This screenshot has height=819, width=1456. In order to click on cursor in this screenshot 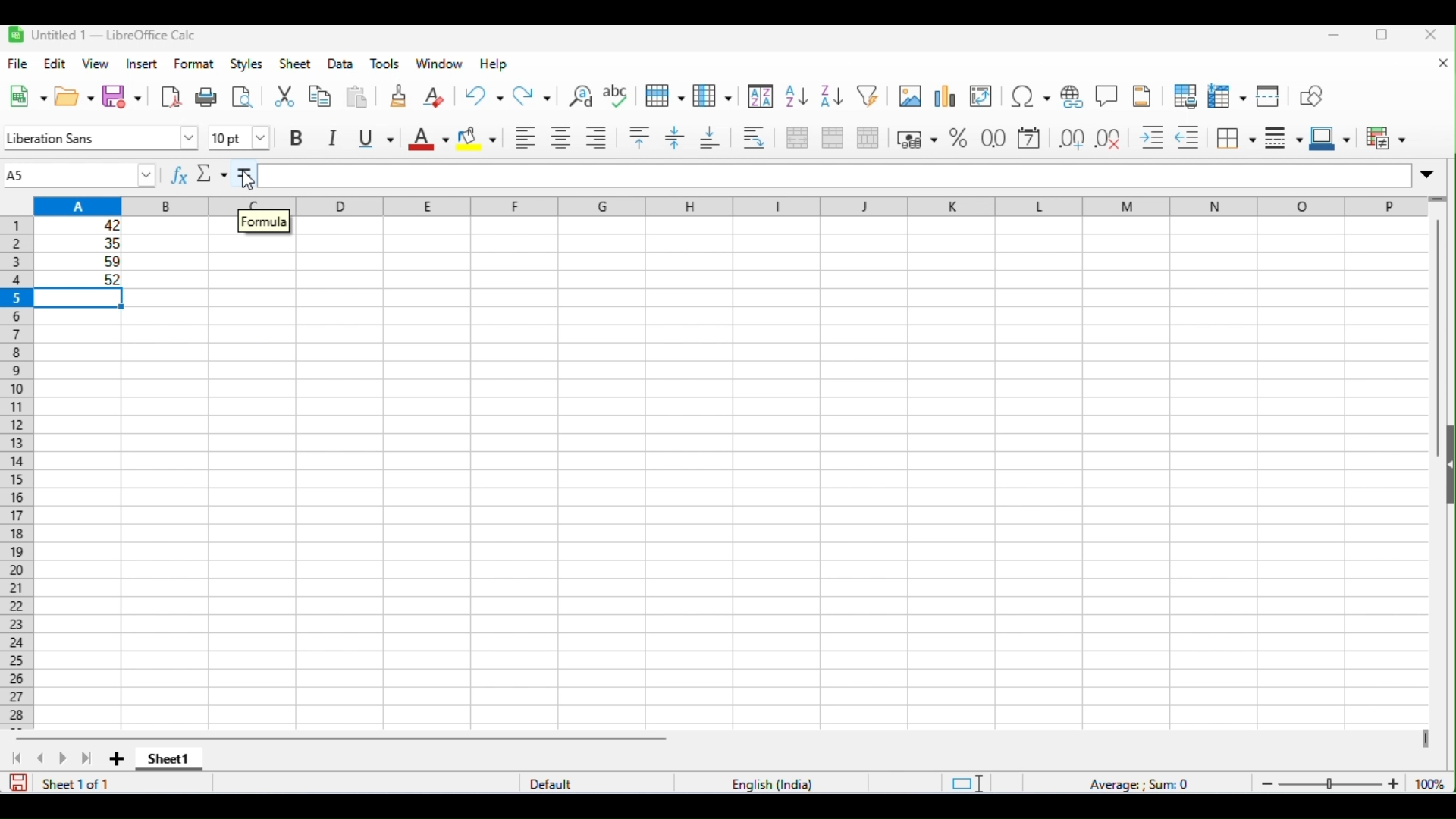, I will do `click(249, 180)`.